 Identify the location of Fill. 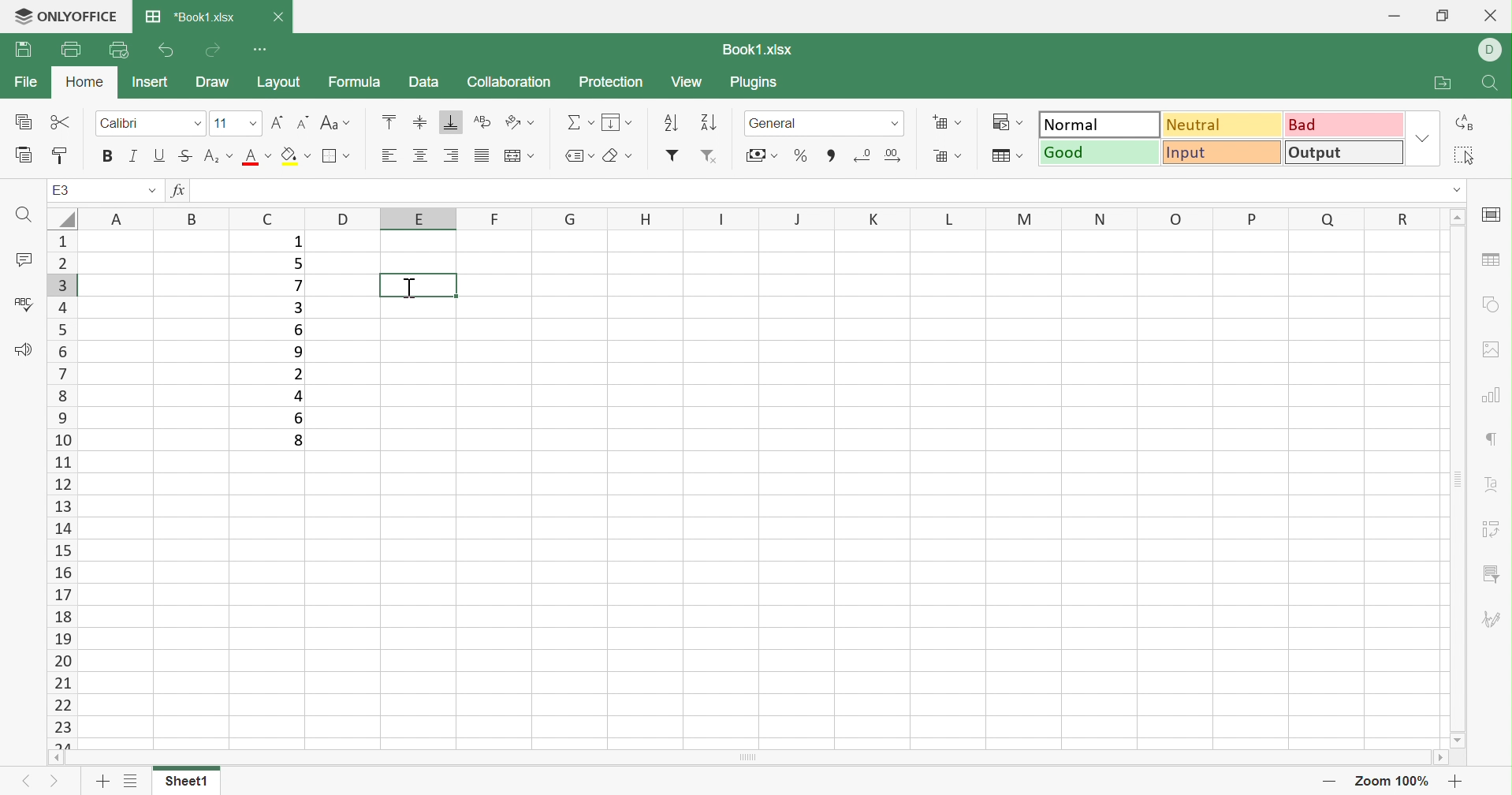
(616, 121).